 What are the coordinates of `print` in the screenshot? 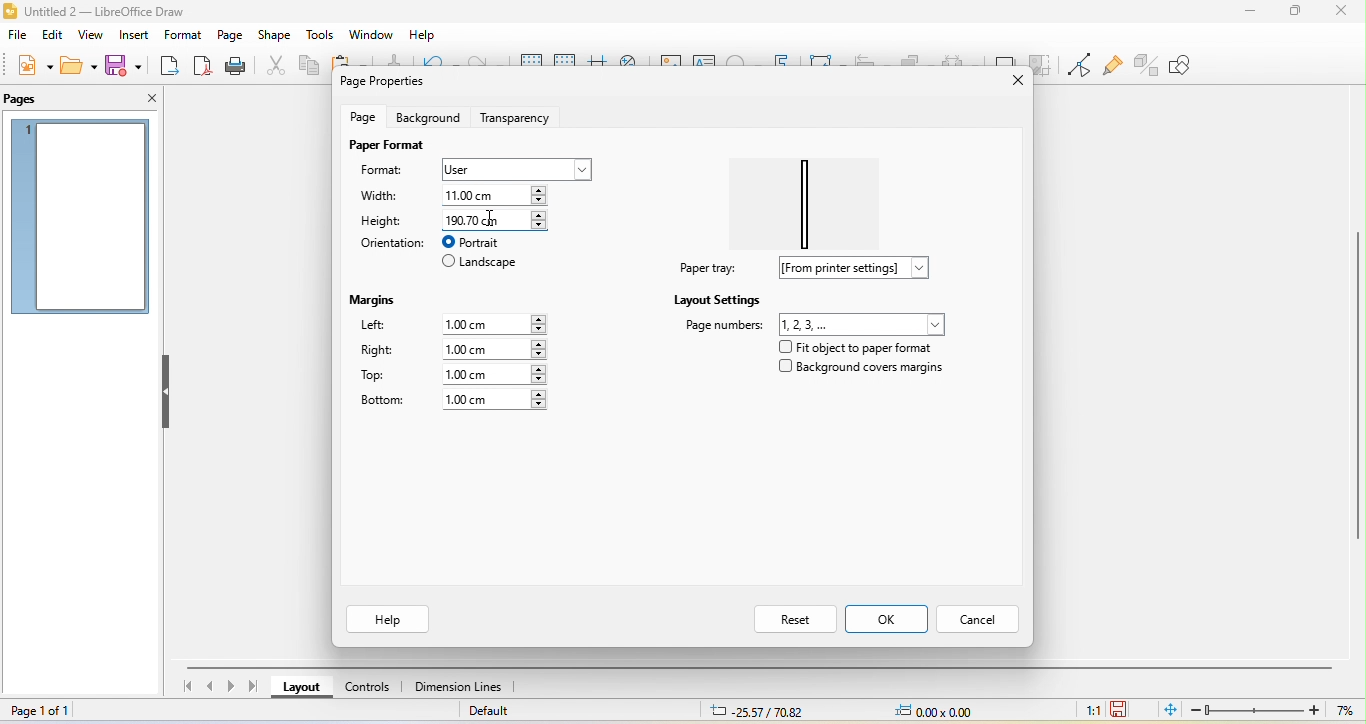 It's located at (234, 67).